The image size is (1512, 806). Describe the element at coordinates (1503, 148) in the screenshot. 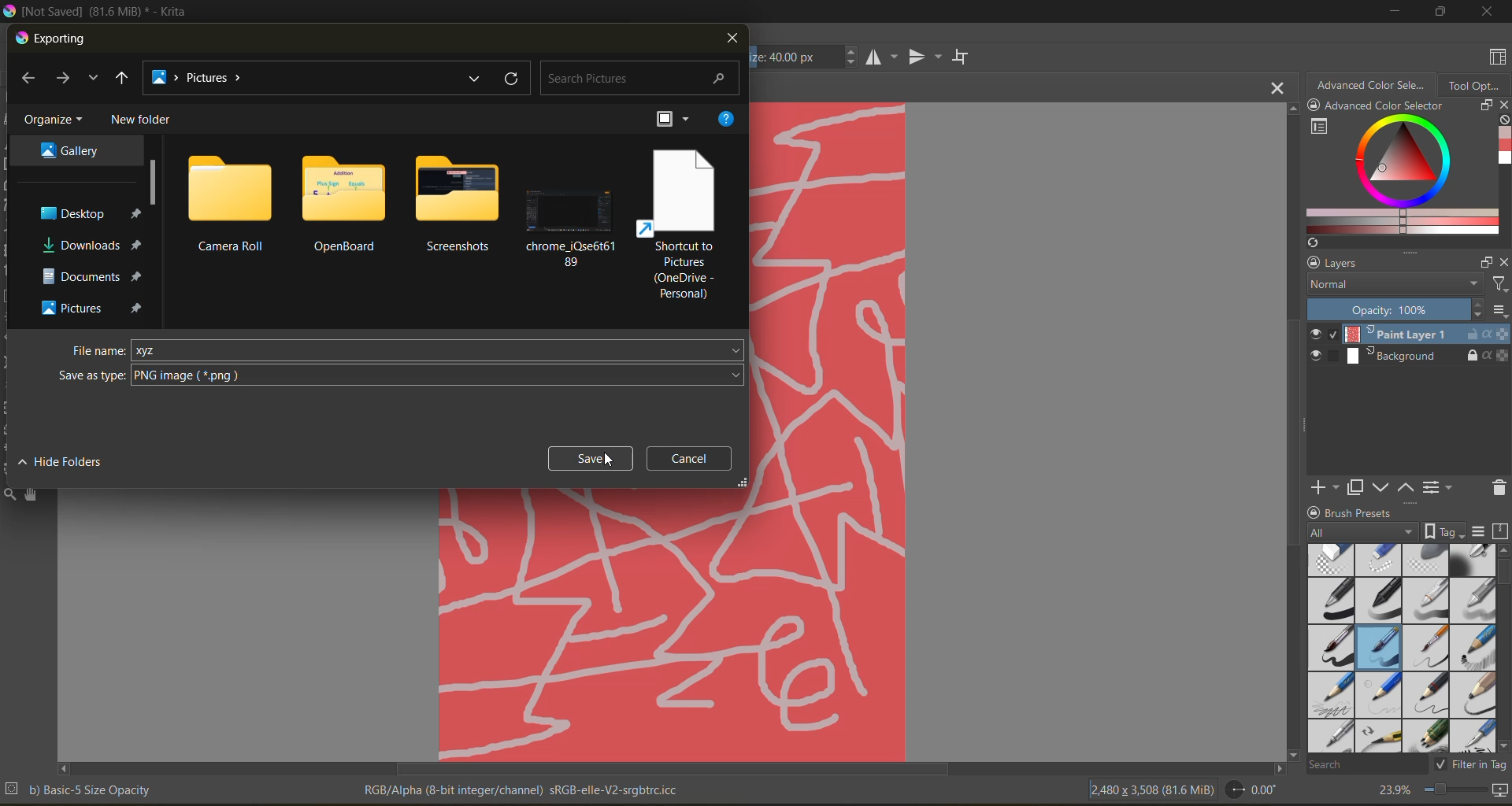

I see `Advanced color selector` at that location.